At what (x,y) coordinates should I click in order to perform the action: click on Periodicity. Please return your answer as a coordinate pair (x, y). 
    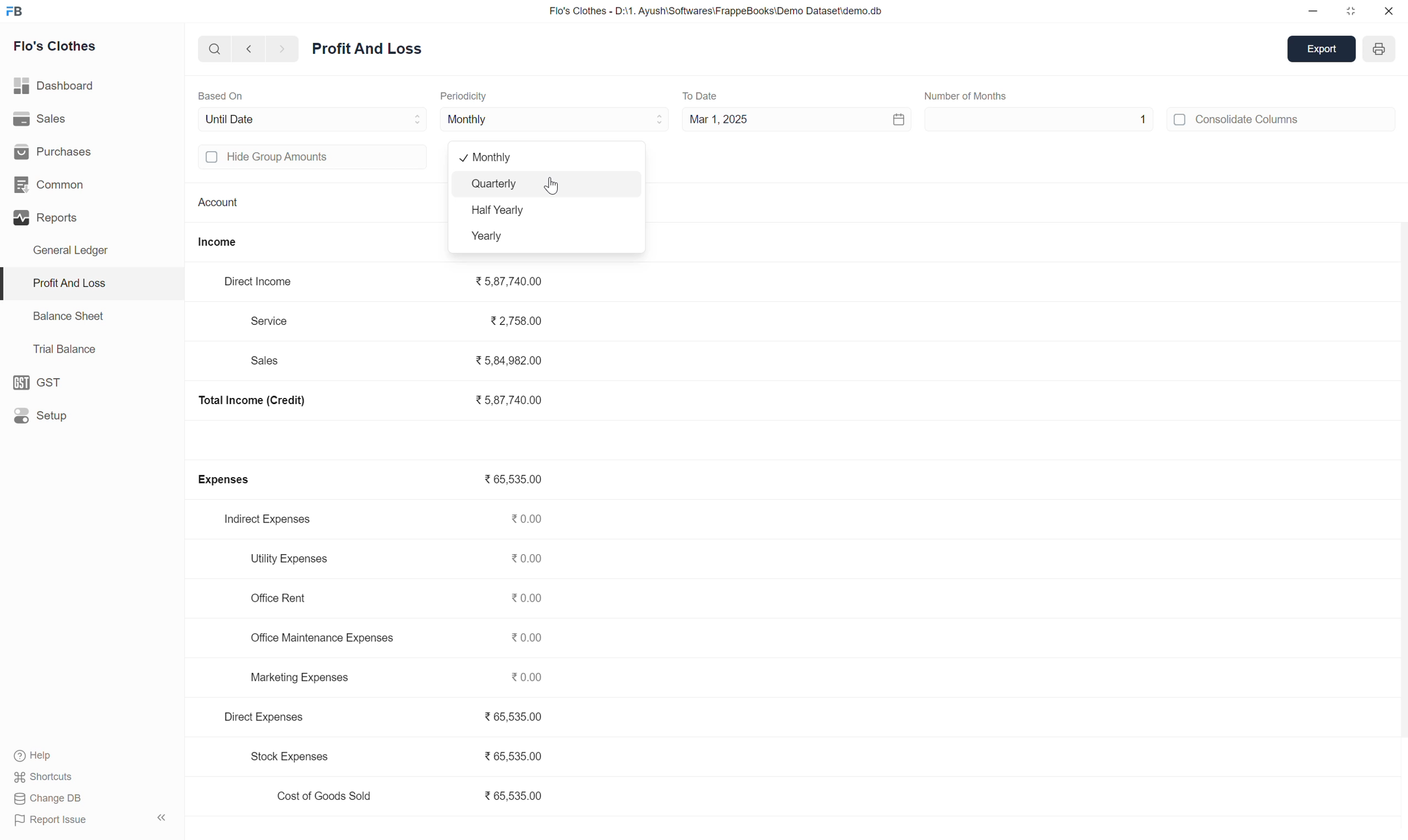
    Looking at the image, I should click on (467, 97).